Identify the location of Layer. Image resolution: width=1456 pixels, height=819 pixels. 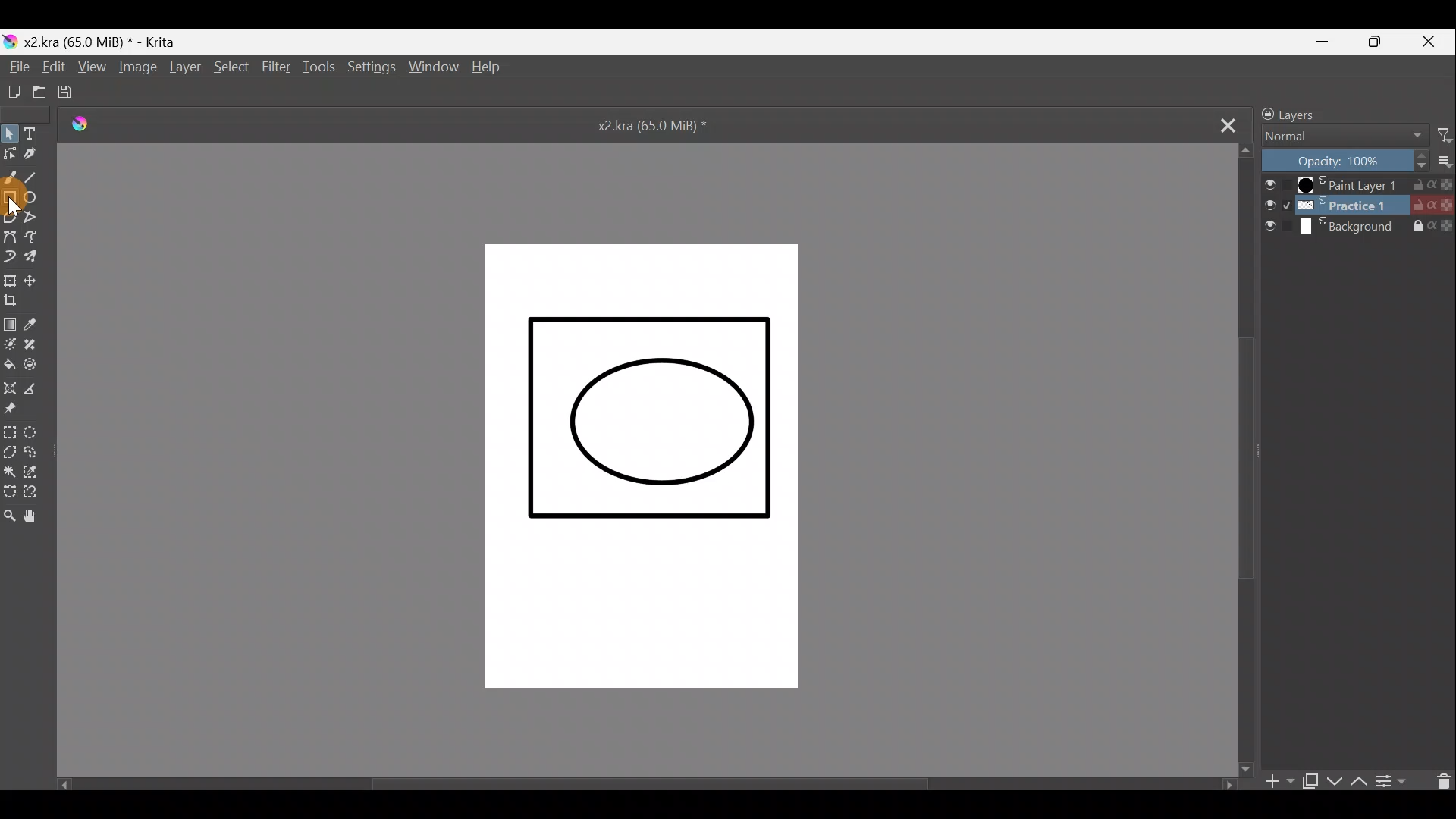
(184, 70).